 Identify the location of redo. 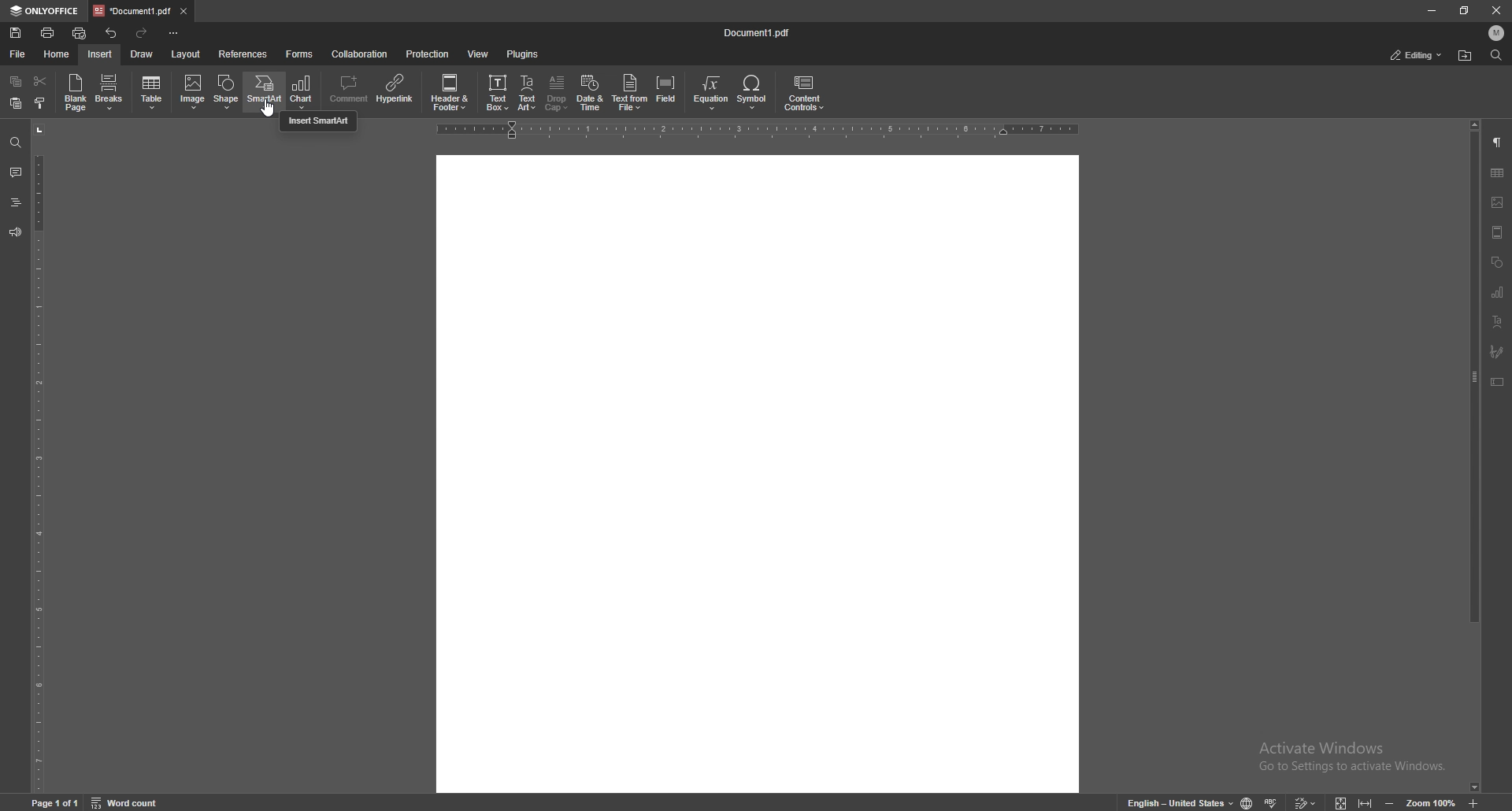
(142, 33).